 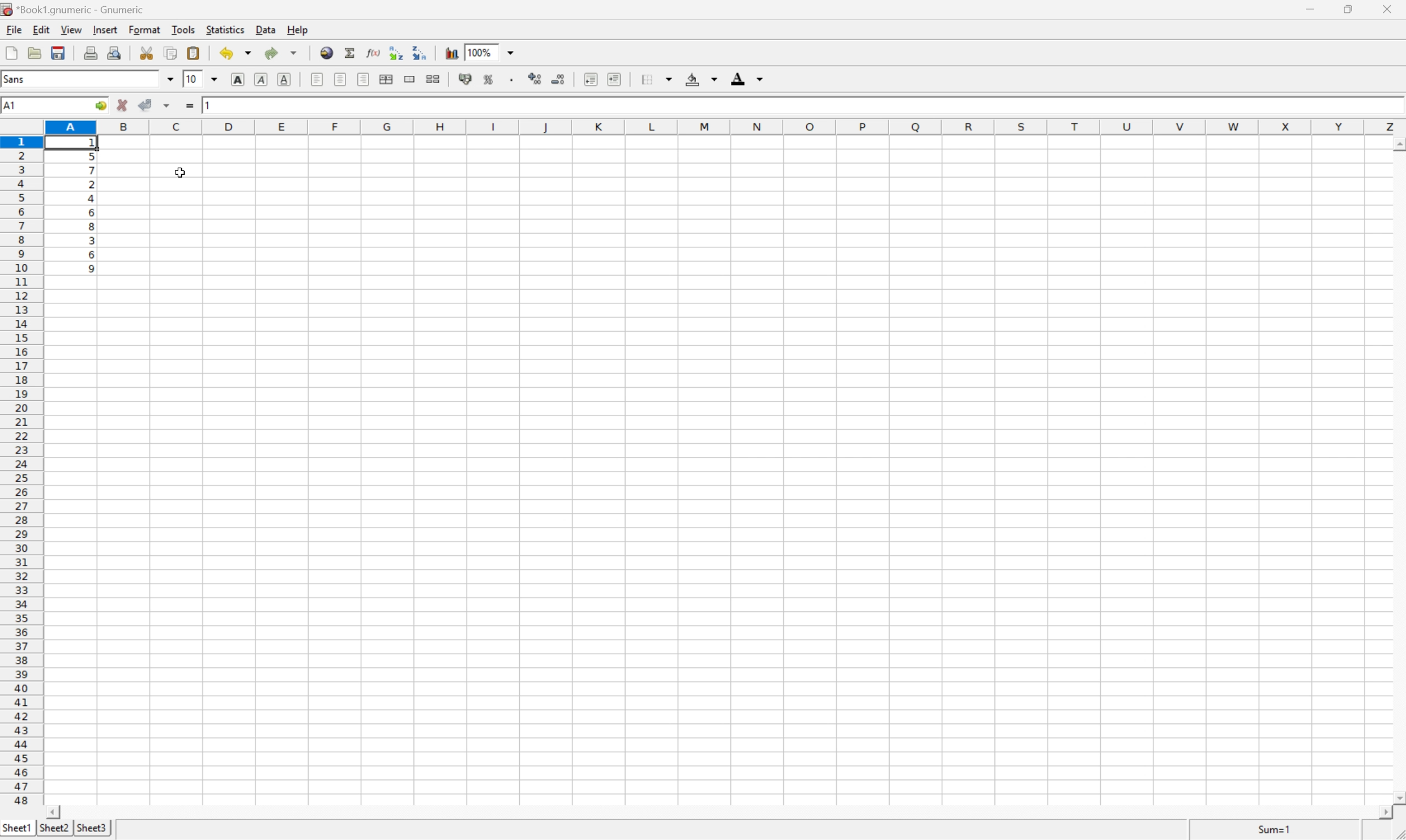 What do you see at coordinates (1275, 831) in the screenshot?
I see `Sum=1` at bounding box center [1275, 831].